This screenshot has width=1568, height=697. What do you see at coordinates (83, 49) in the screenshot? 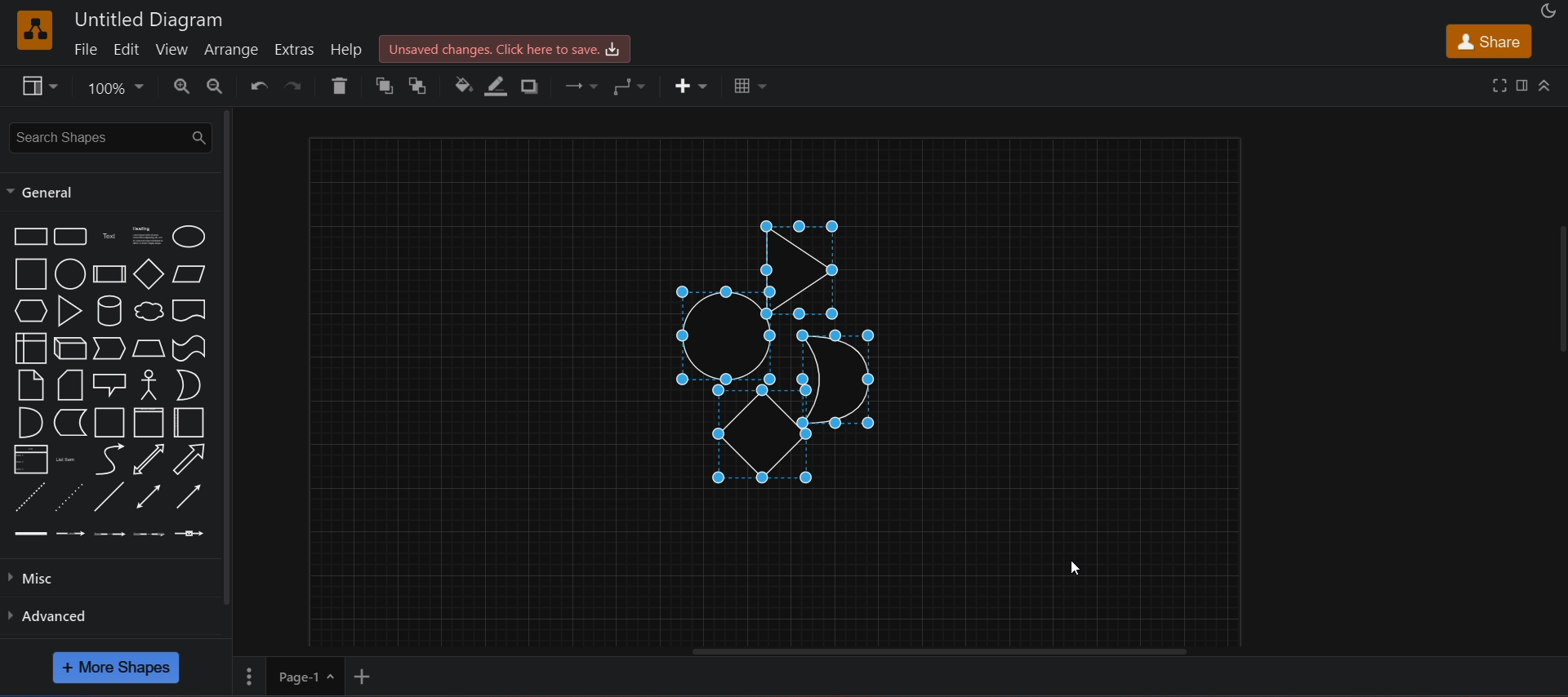
I see `file` at bounding box center [83, 49].